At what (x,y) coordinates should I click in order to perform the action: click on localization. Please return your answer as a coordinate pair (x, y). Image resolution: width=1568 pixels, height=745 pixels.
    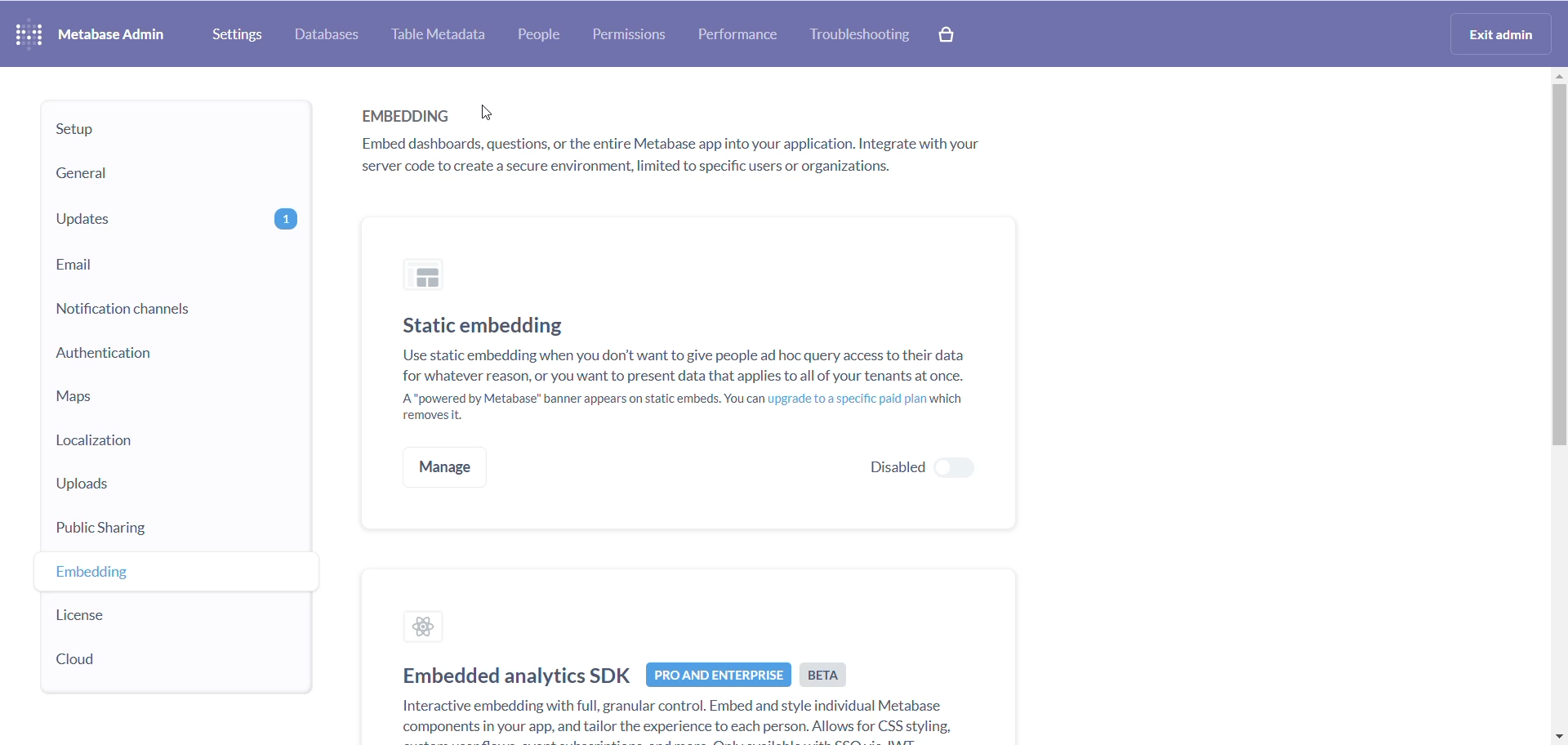
    Looking at the image, I should click on (140, 444).